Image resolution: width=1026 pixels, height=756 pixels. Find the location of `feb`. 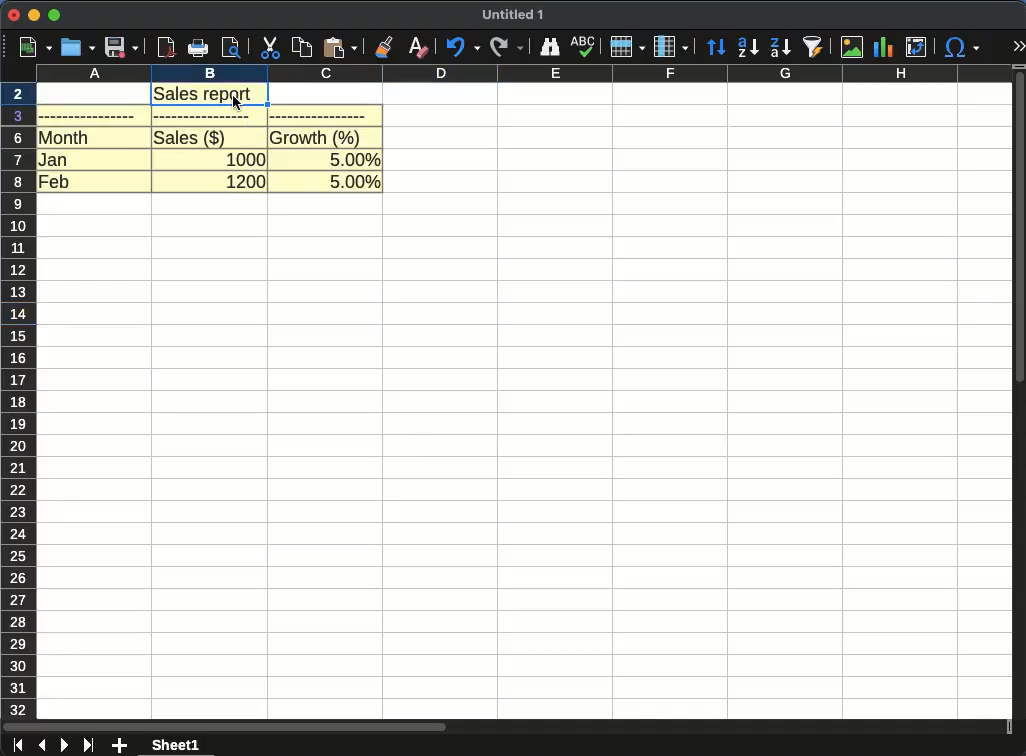

feb is located at coordinates (54, 180).